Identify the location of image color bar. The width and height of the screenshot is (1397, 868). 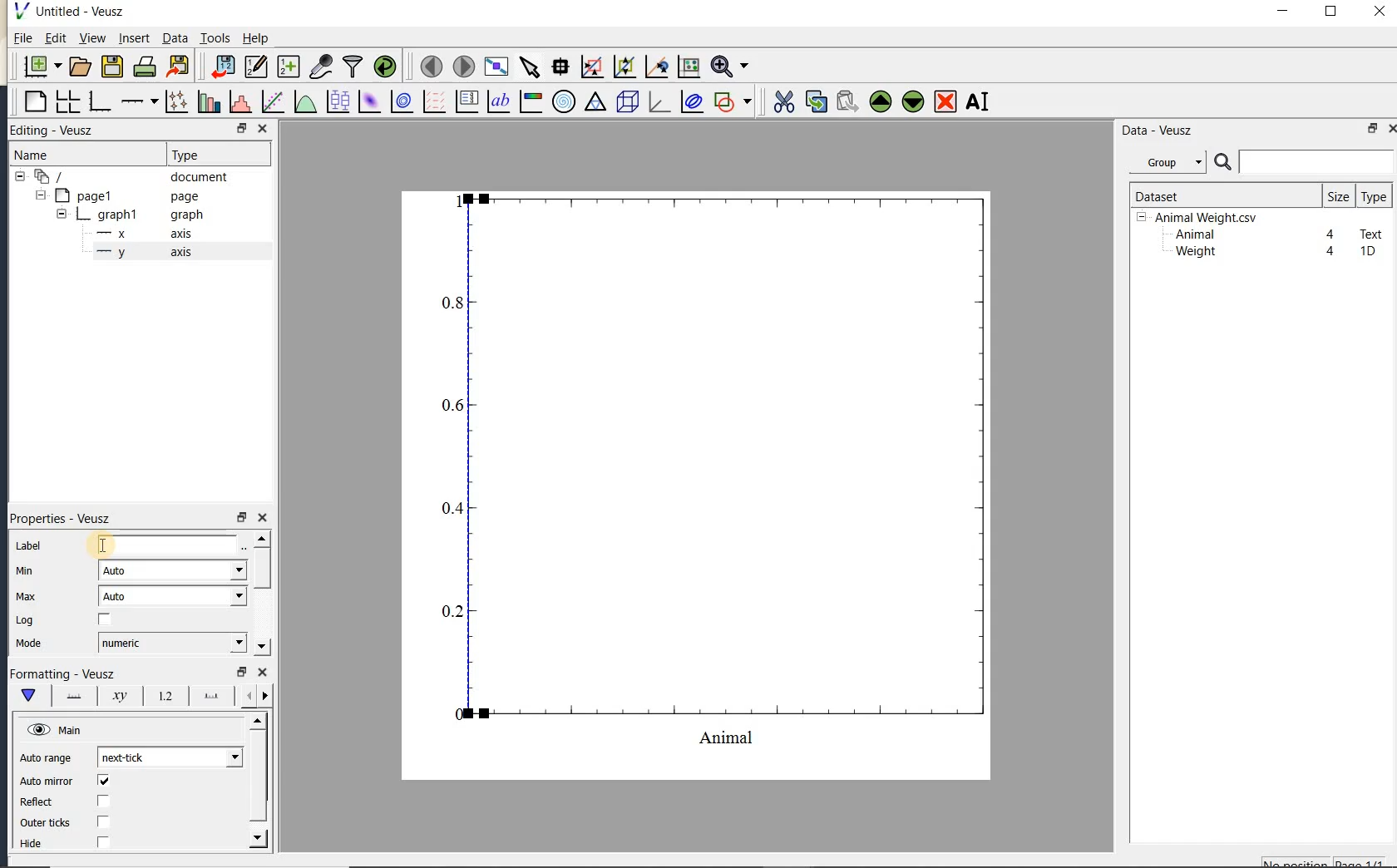
(531, 101).